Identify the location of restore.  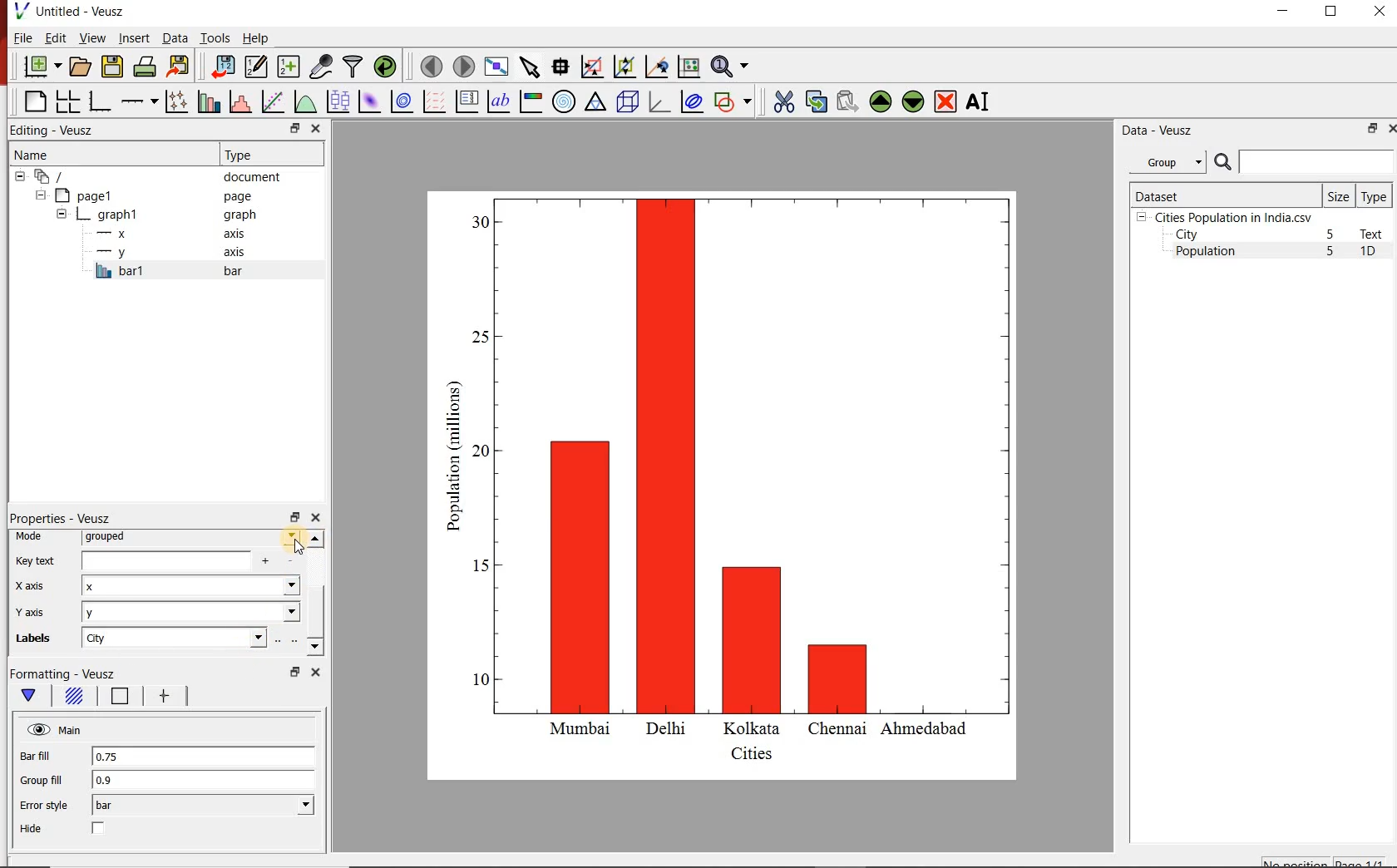
(294, 672).